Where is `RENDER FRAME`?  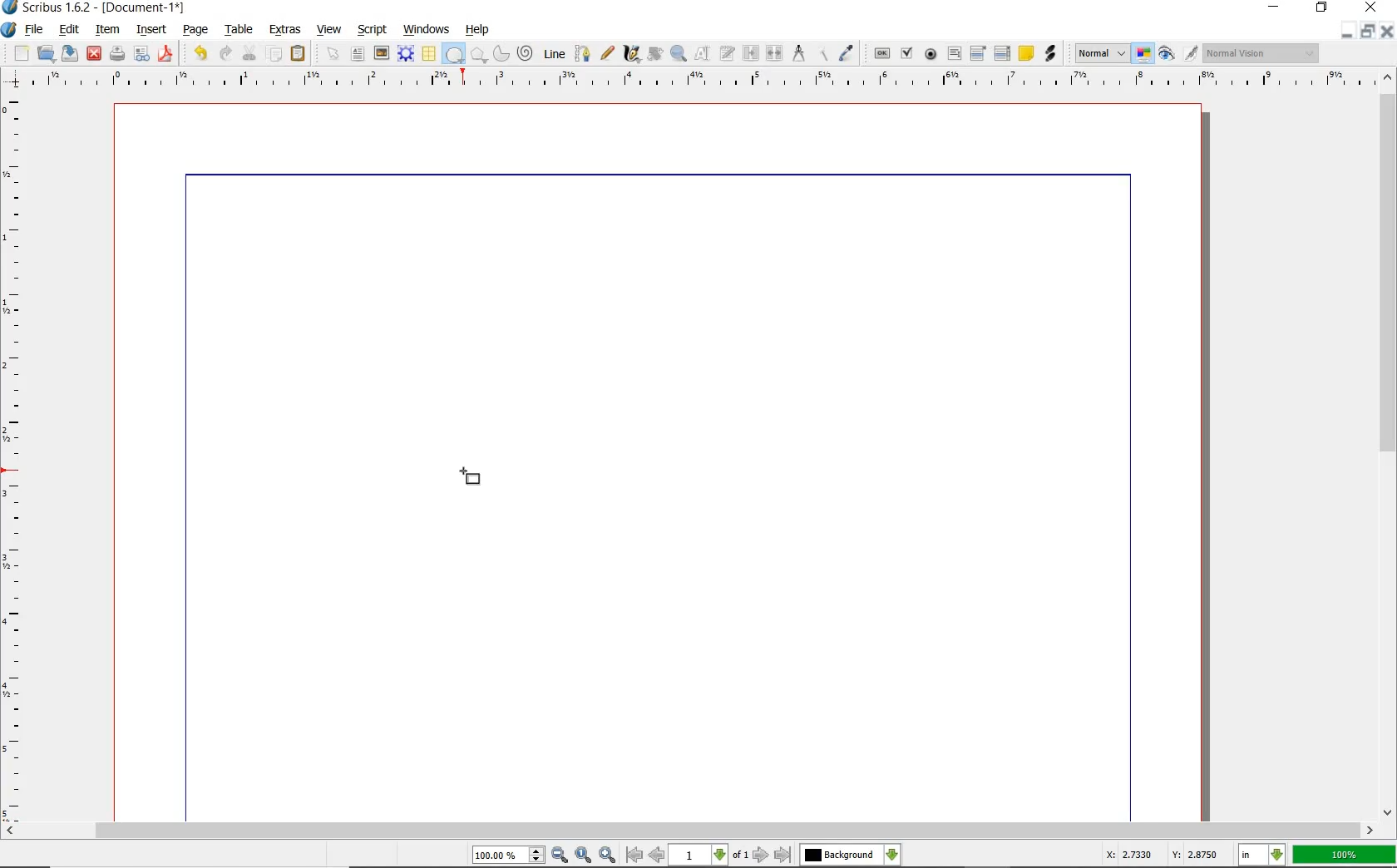 RENDER FRAME is located at coordinates (404, 53).